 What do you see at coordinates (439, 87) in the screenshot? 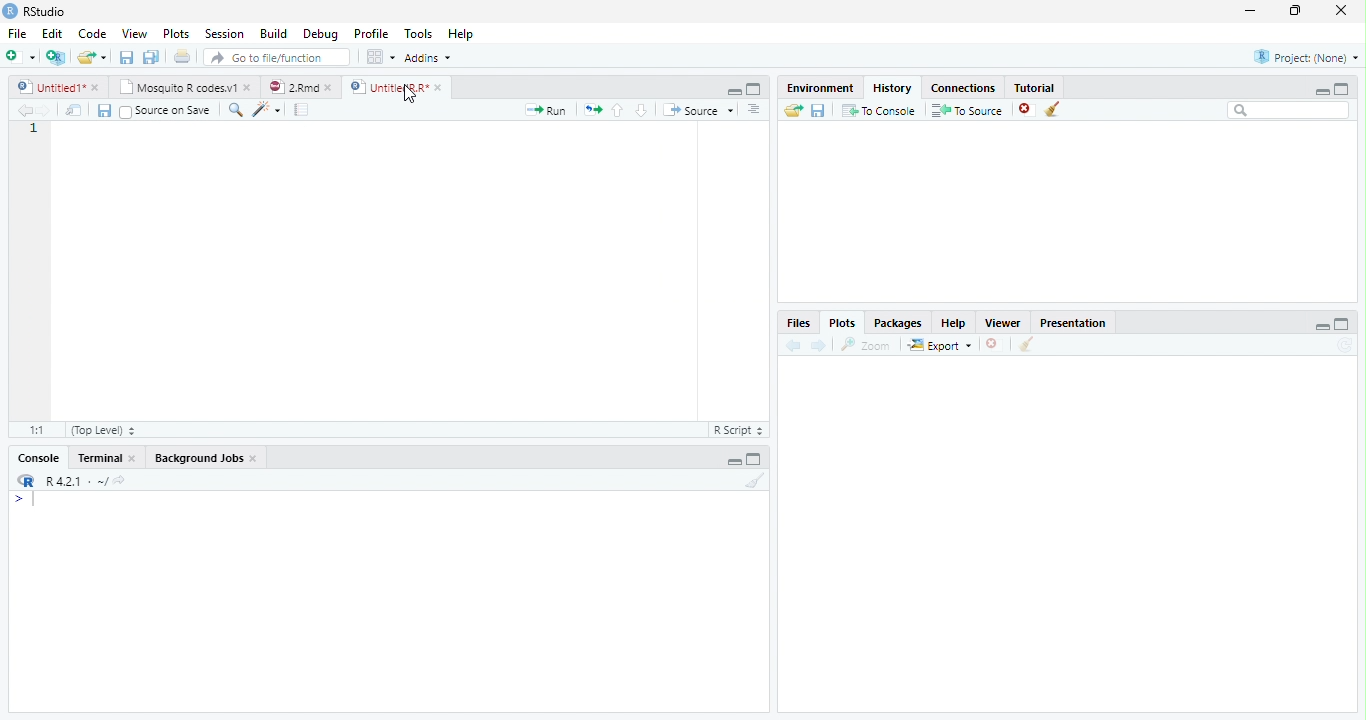
I see `close` at bounding box center [439, 87].